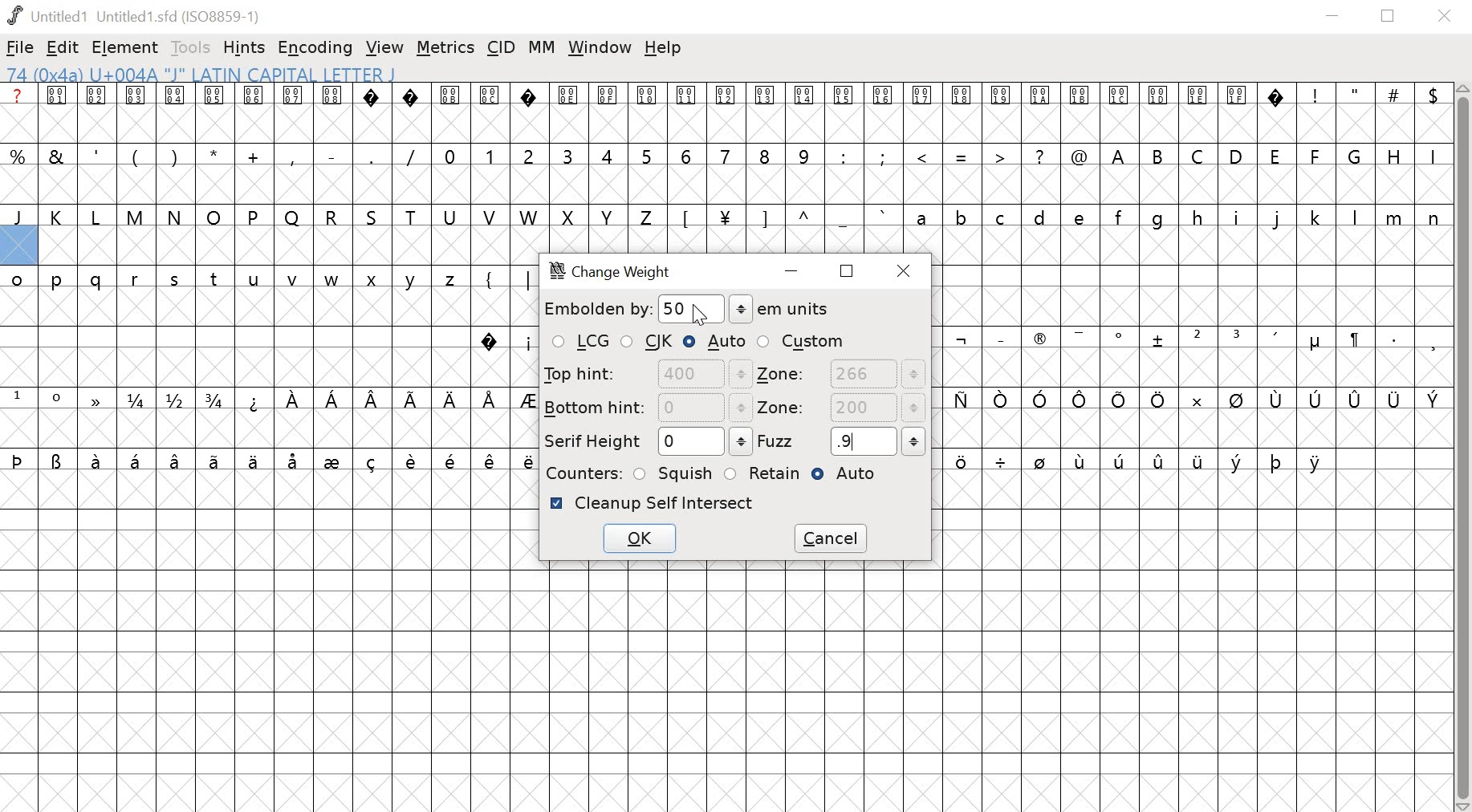 The width and height of the screenshot is (1472, 812). I want to click on symbols, so click(783, 217).